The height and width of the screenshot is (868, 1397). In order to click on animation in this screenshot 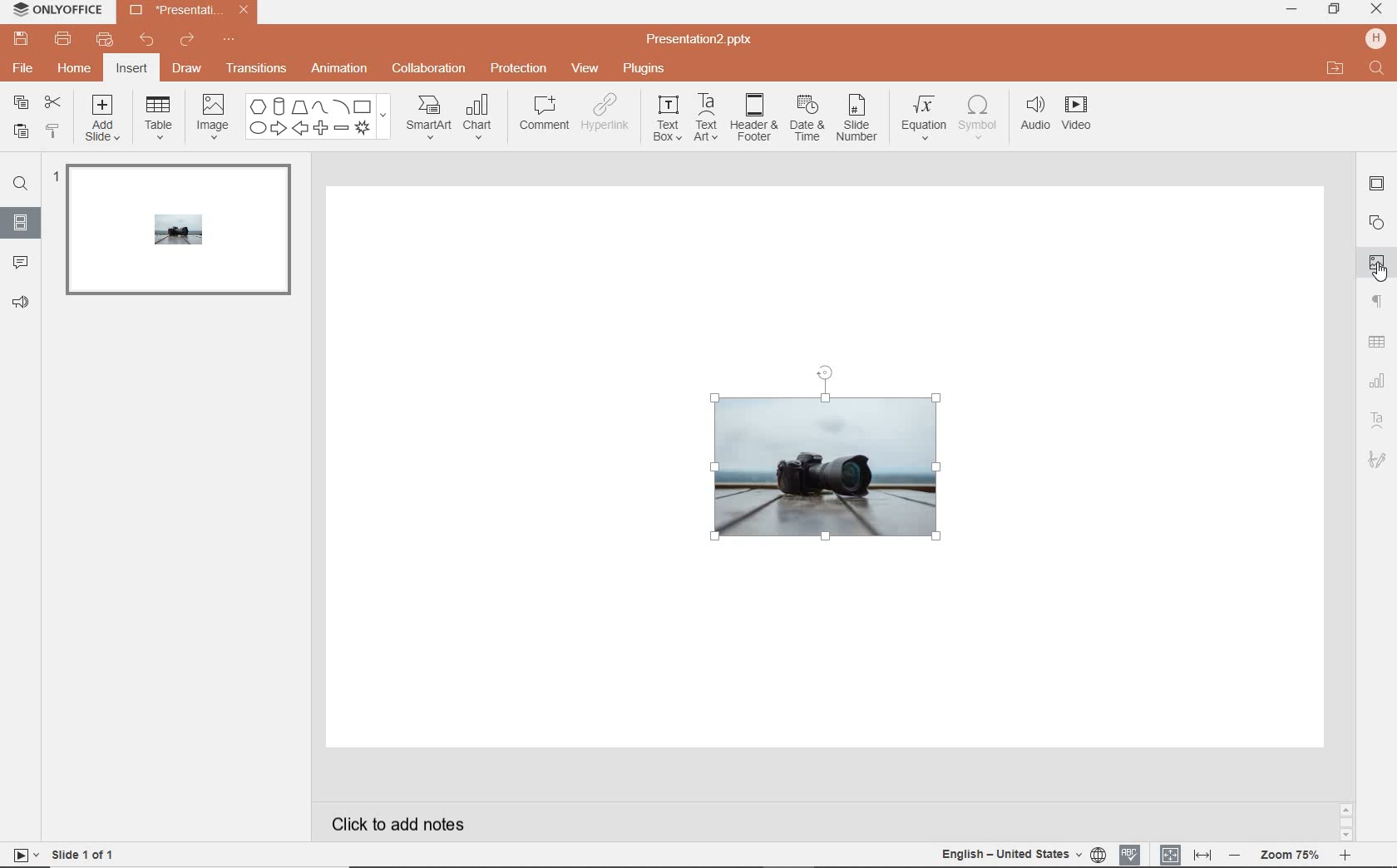, I will do `click(340, 69)`.